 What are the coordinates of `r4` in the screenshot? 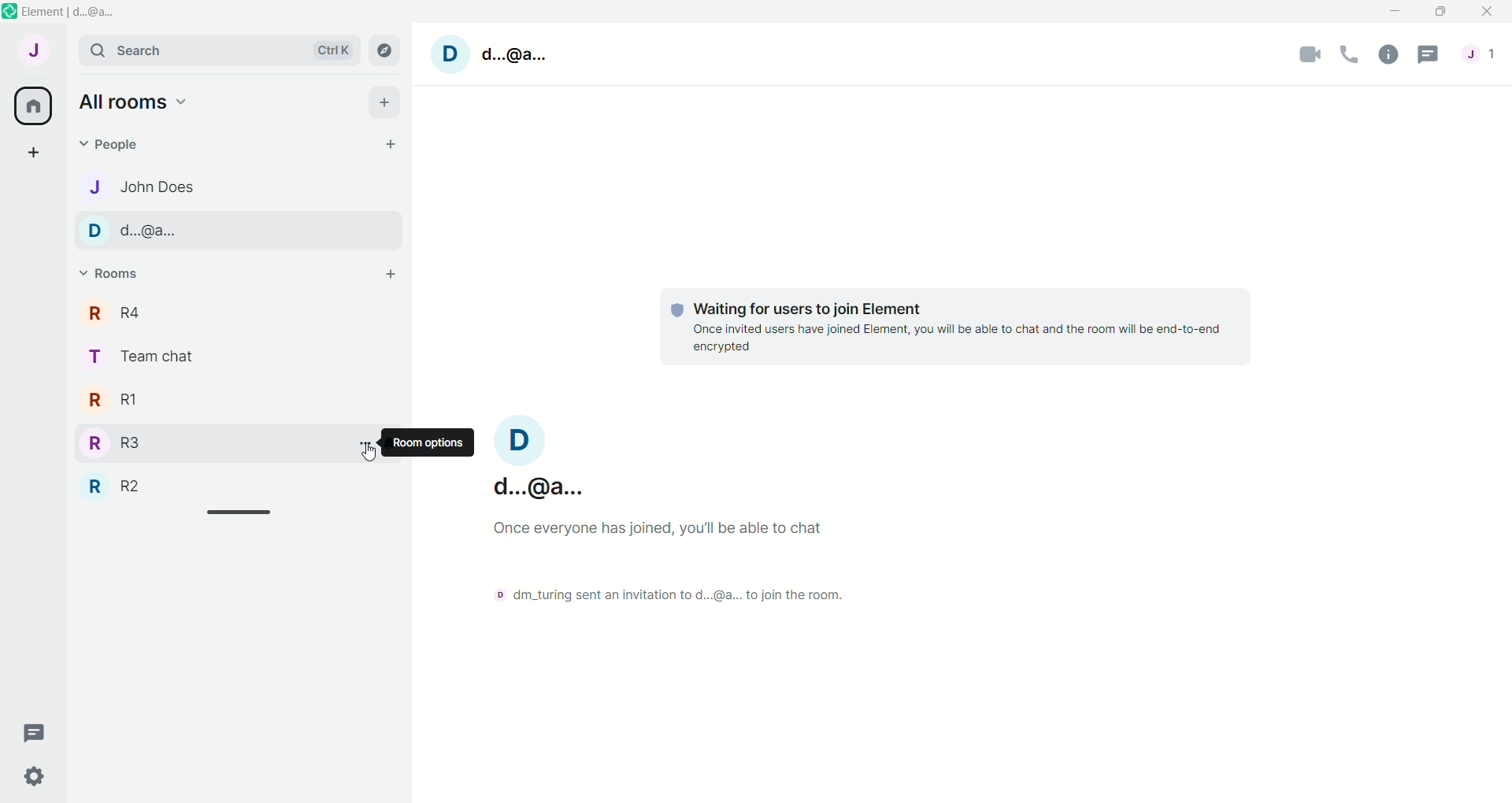 It's located at (239, 312).